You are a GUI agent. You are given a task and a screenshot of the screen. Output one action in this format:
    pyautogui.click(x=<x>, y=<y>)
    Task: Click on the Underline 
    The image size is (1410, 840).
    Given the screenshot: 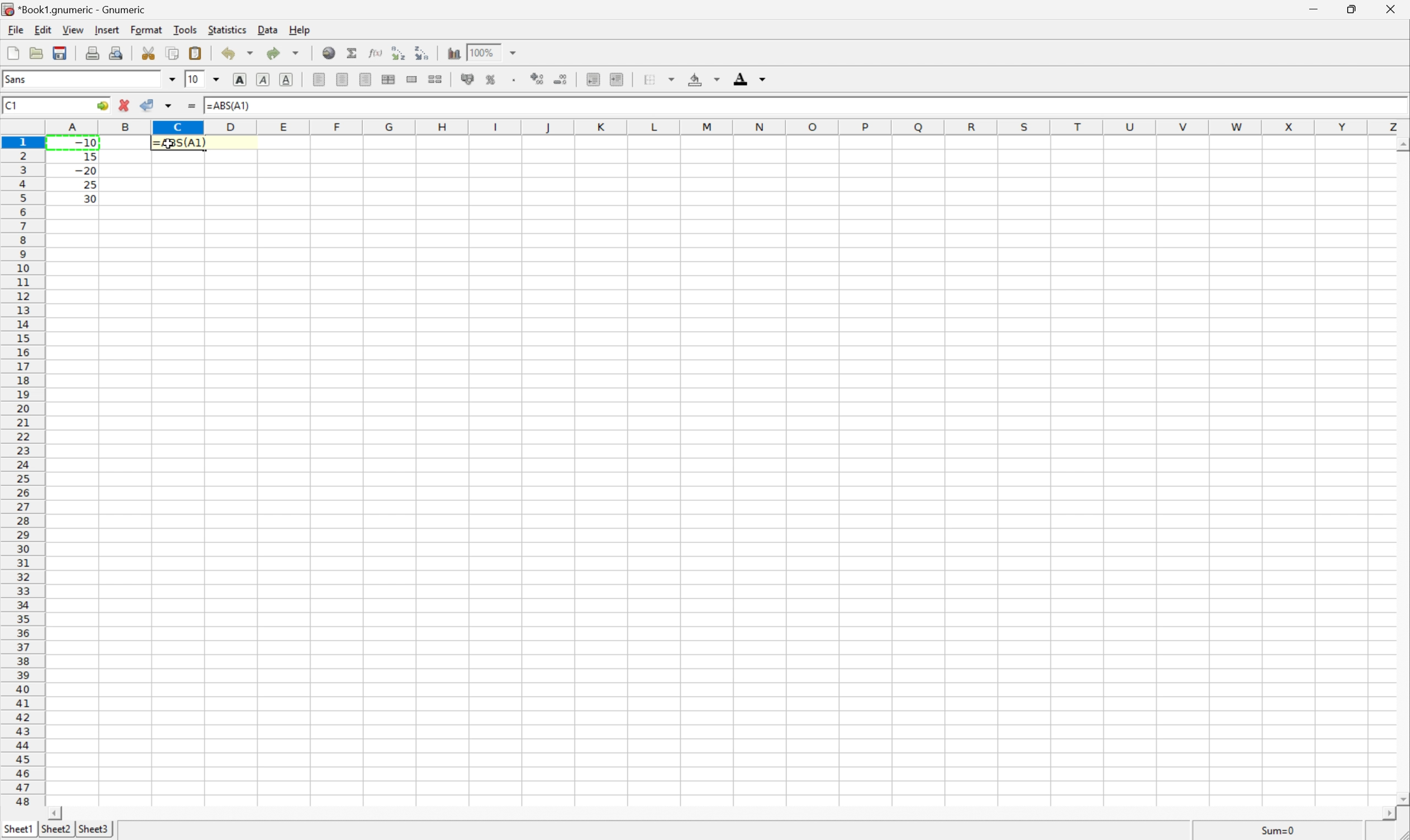 What is the action you would take?
    pyautogui.click(x=262, y=80)
    